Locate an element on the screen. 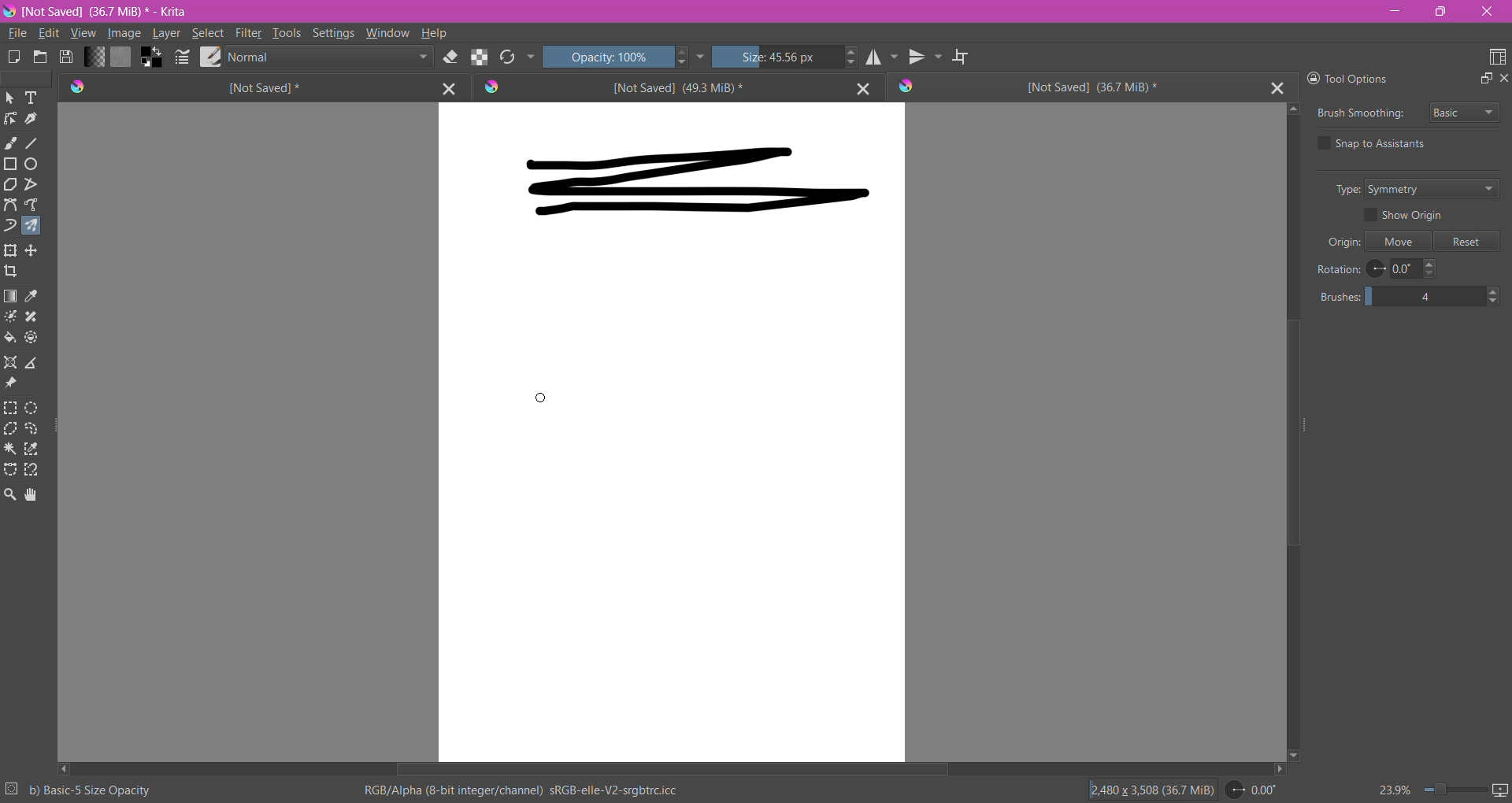 The image size is (1512, 803). Freehand Selection Tool is located at coordinates (32, 429).